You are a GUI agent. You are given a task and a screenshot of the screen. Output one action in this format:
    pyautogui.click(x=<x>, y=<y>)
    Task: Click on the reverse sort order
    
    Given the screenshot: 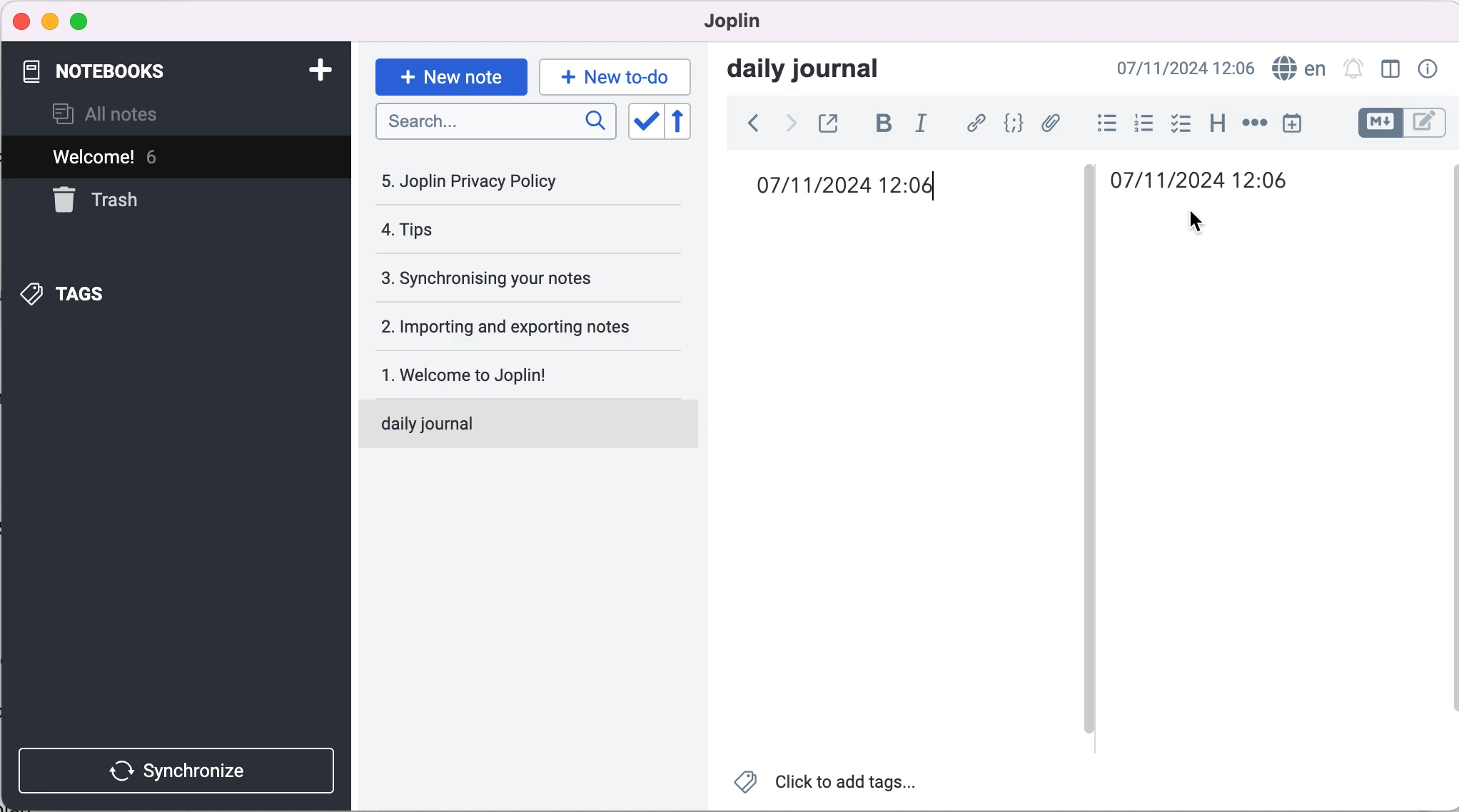 What is the action you would take?
    pyautogui.click(x=684, y=123)
    